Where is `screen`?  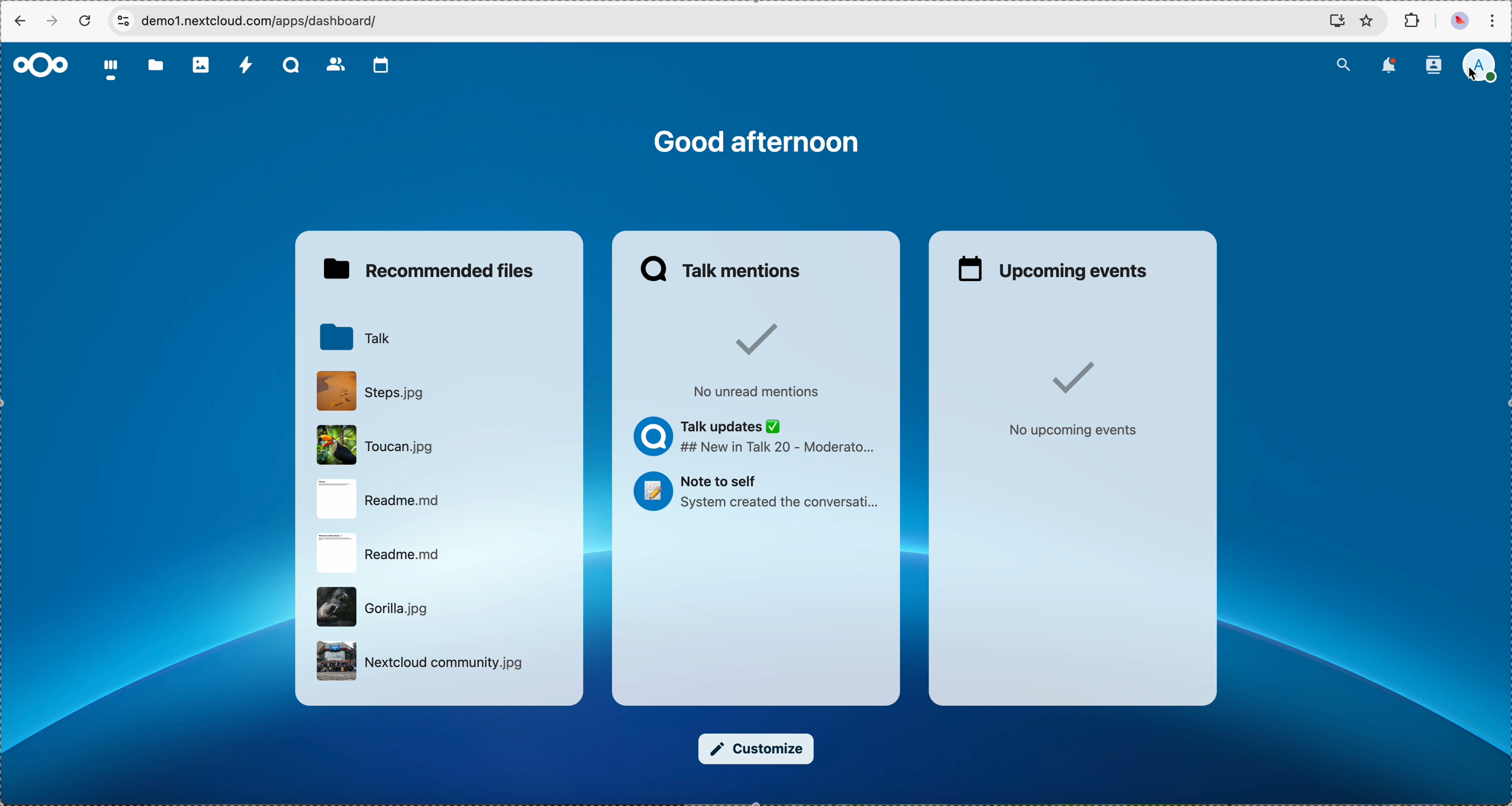
screen is located at coordinates (1334, 20).